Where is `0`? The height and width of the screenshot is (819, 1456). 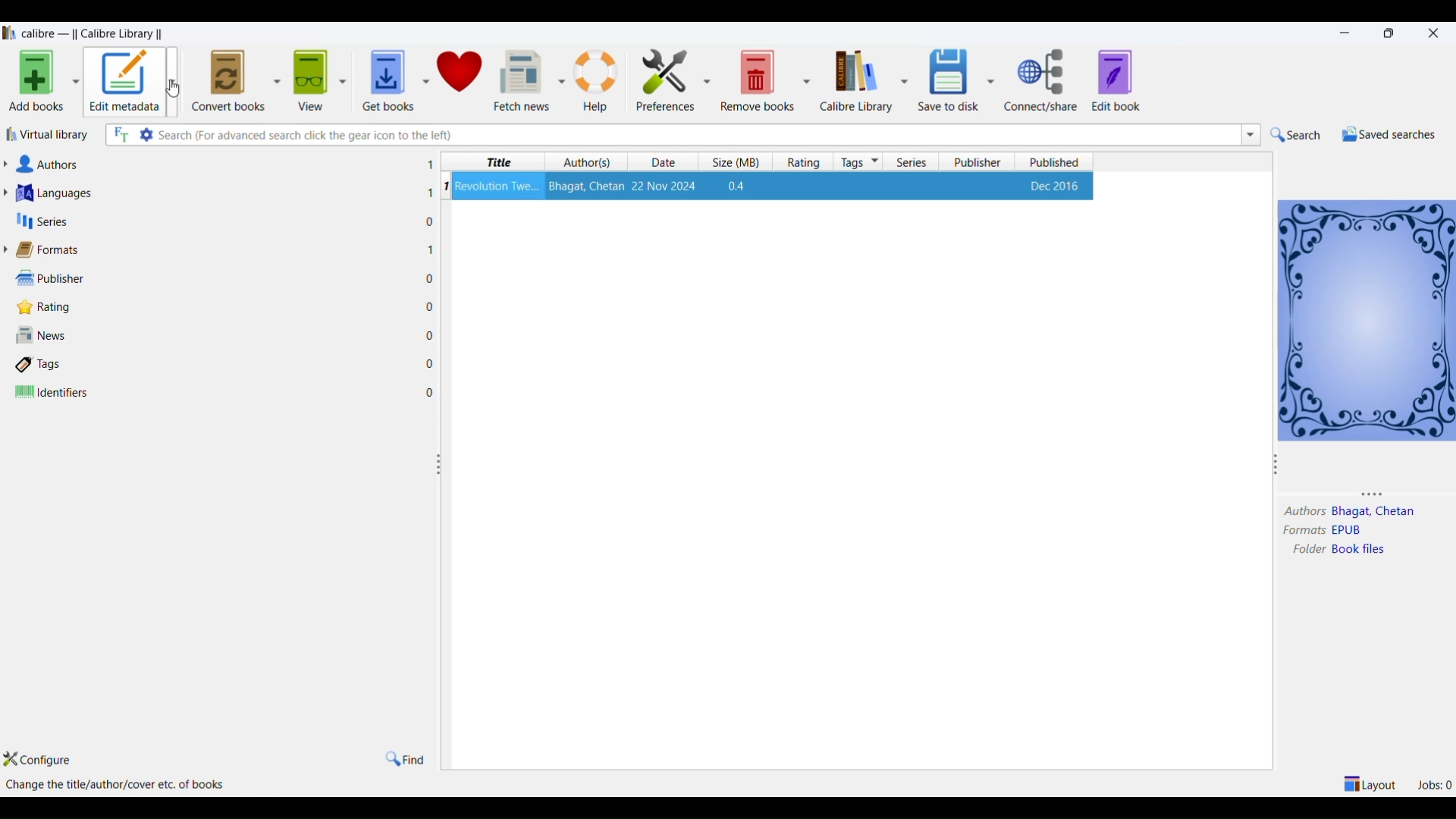
0 is located at coordinates (431, 279).